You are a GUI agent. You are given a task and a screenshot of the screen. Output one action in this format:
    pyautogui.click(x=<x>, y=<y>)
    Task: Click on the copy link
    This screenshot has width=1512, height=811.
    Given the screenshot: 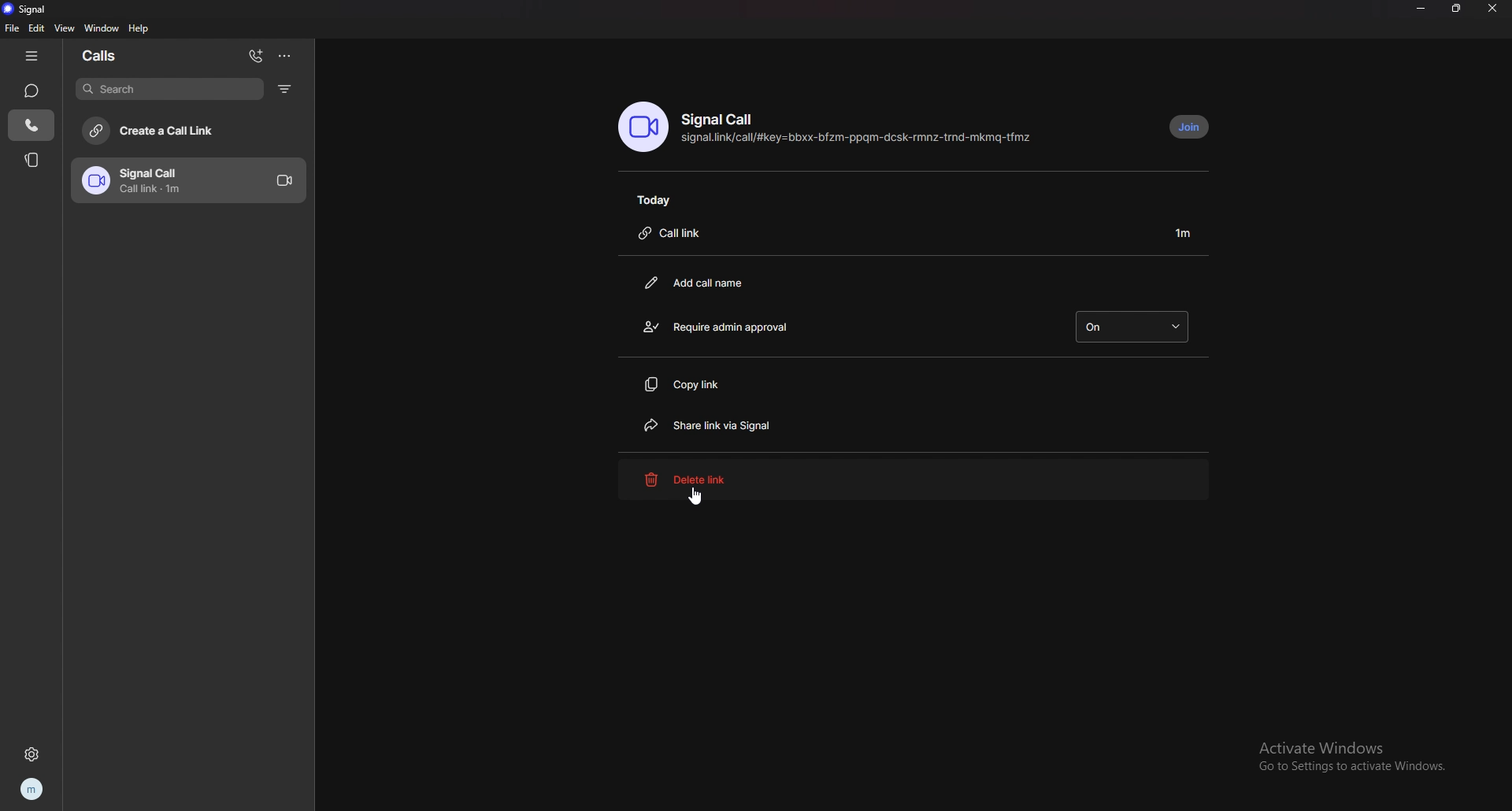 What is the action you would take?
    pyautogui.click(x=706, y=384)
    